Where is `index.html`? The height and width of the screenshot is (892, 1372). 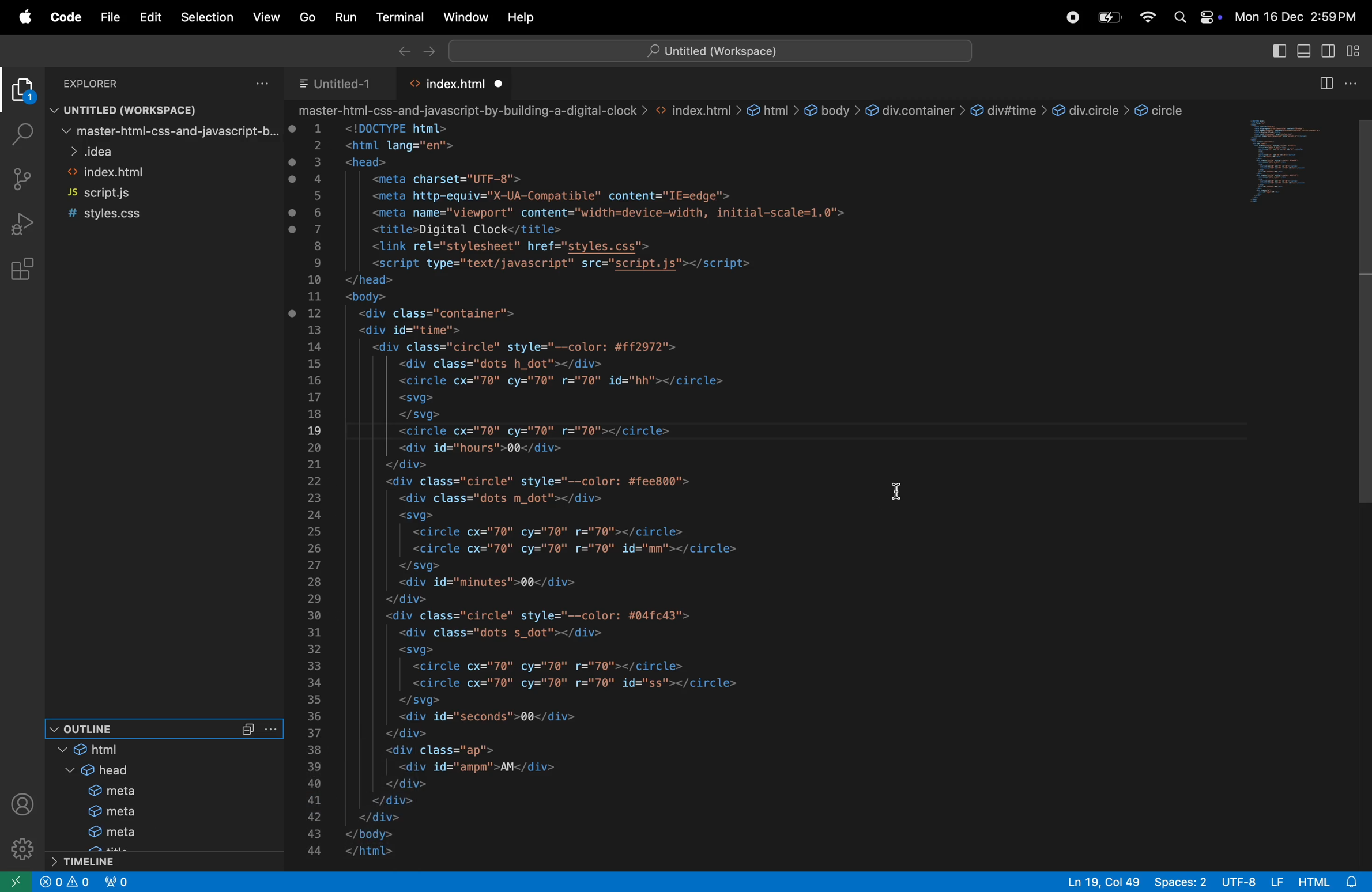
index.html is located at coordinates (148, 171).